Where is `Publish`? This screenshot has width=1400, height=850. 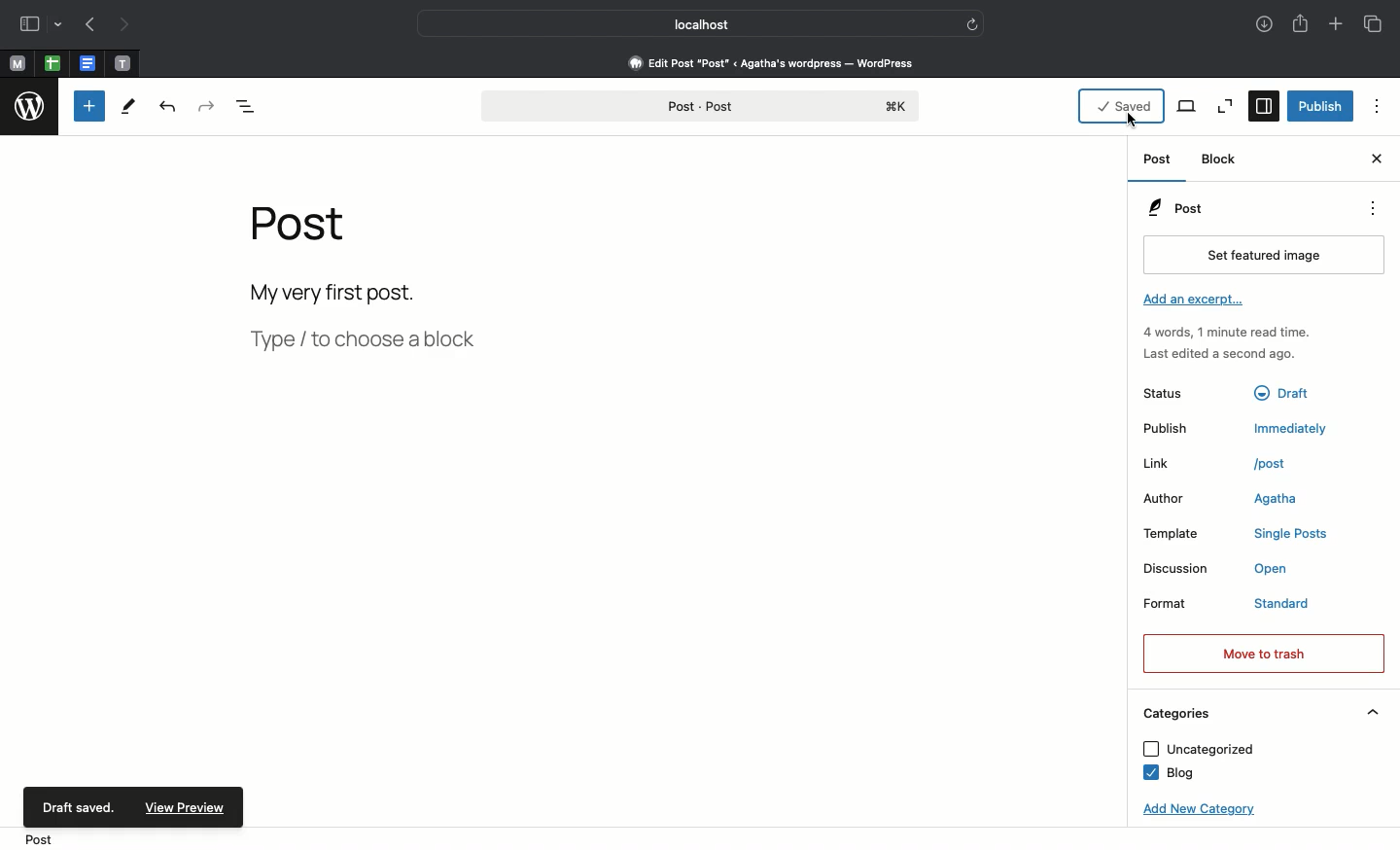
Publish is located at coordinates (1321, 106).